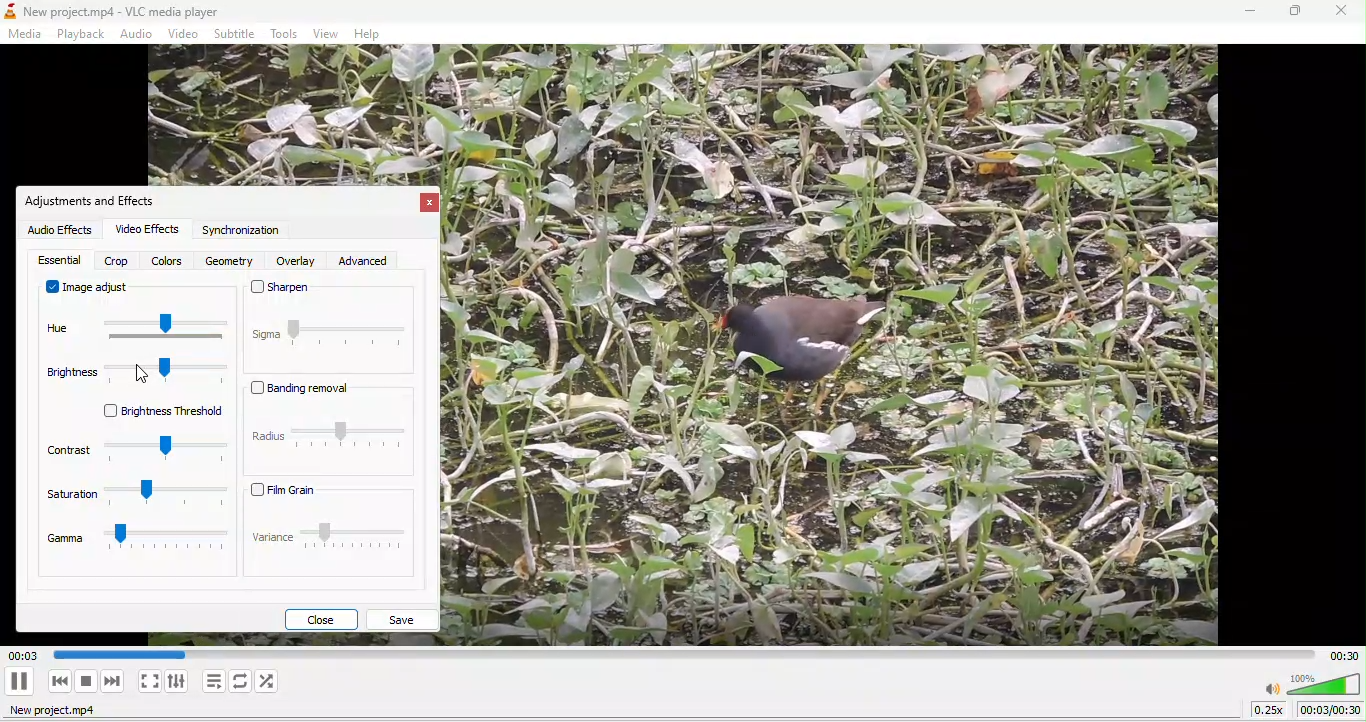 The width and height of the screenshot is (1366, 722). I want to click on playback, so click(79, 33).